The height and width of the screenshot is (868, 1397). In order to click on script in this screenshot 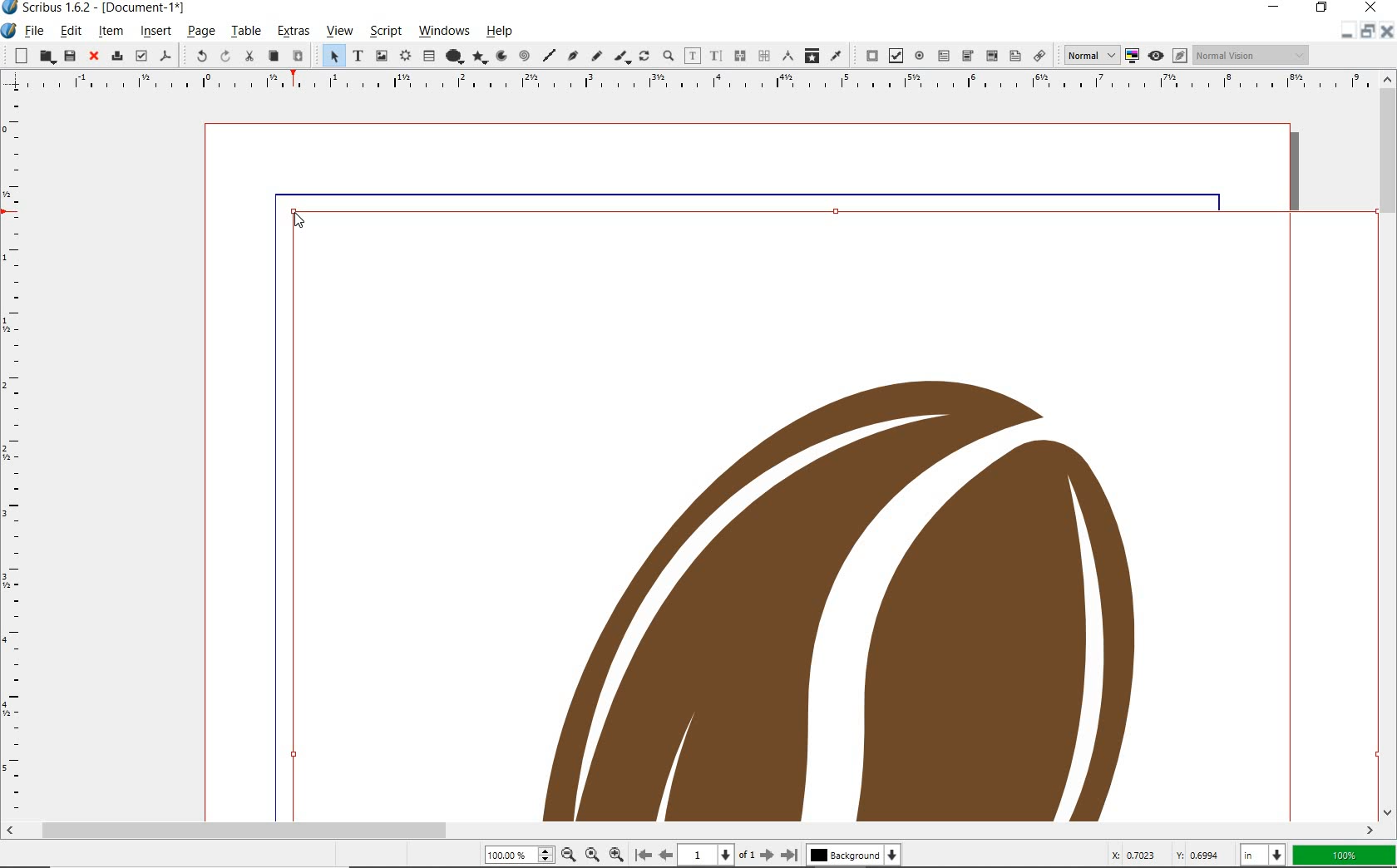, I will do `click(385, 32)`.